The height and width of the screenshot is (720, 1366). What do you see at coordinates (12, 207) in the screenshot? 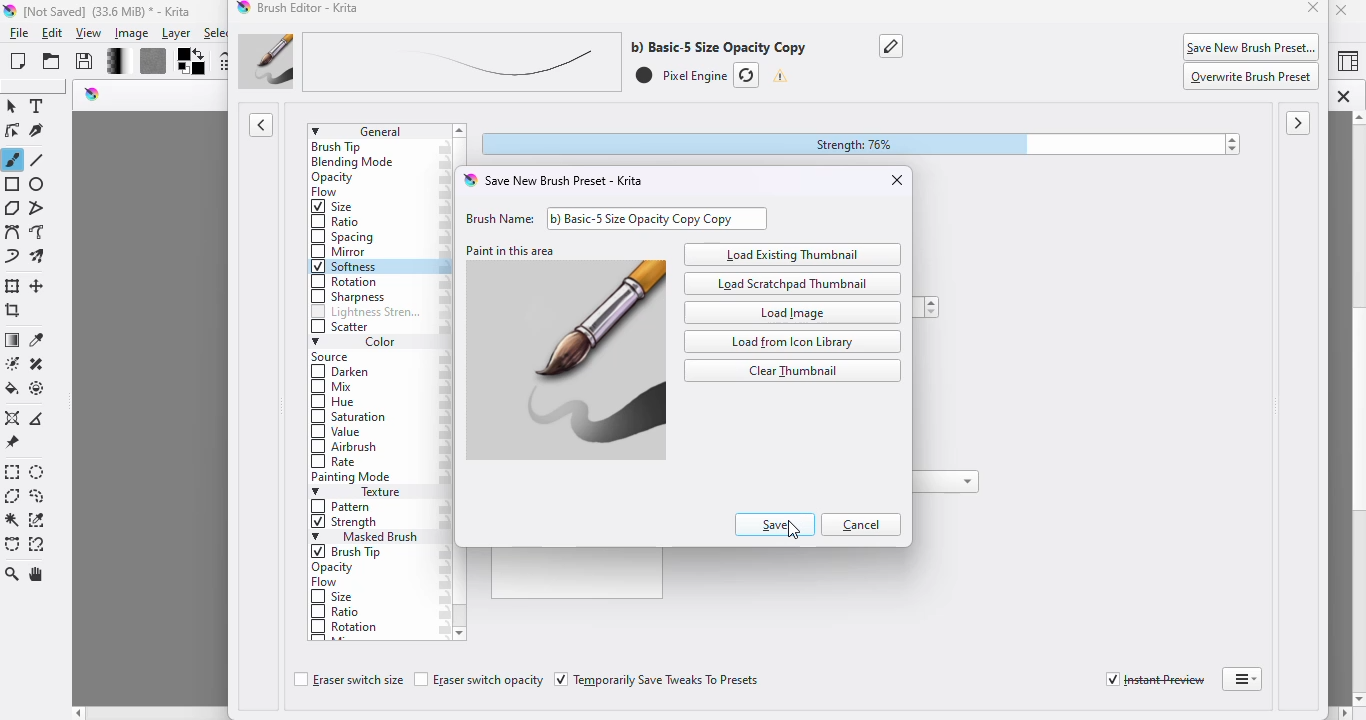
I see `polygon tool` at bounding box center [12, 207].